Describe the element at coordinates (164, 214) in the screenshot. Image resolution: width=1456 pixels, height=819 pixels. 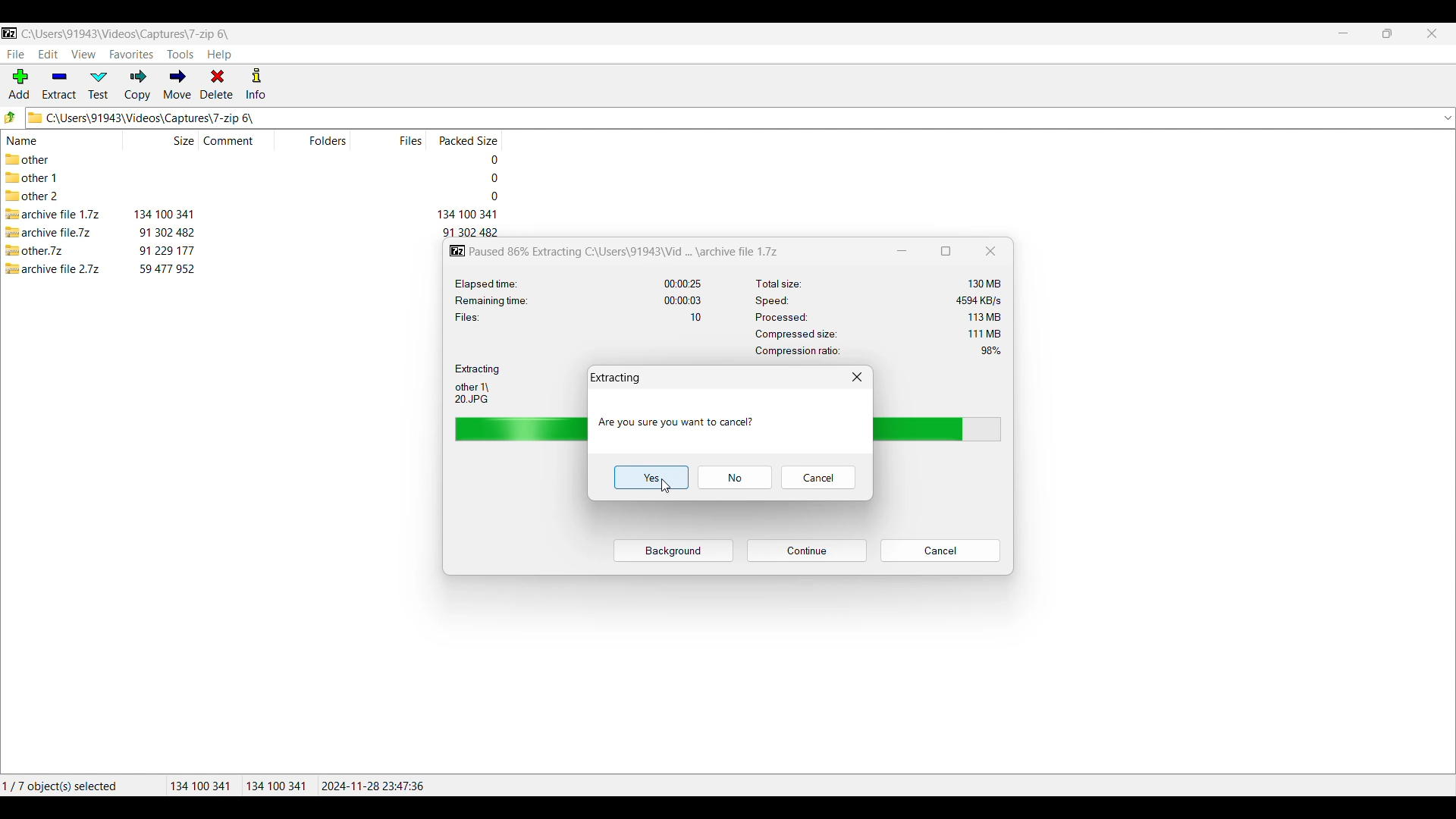
I see `size` at that location.